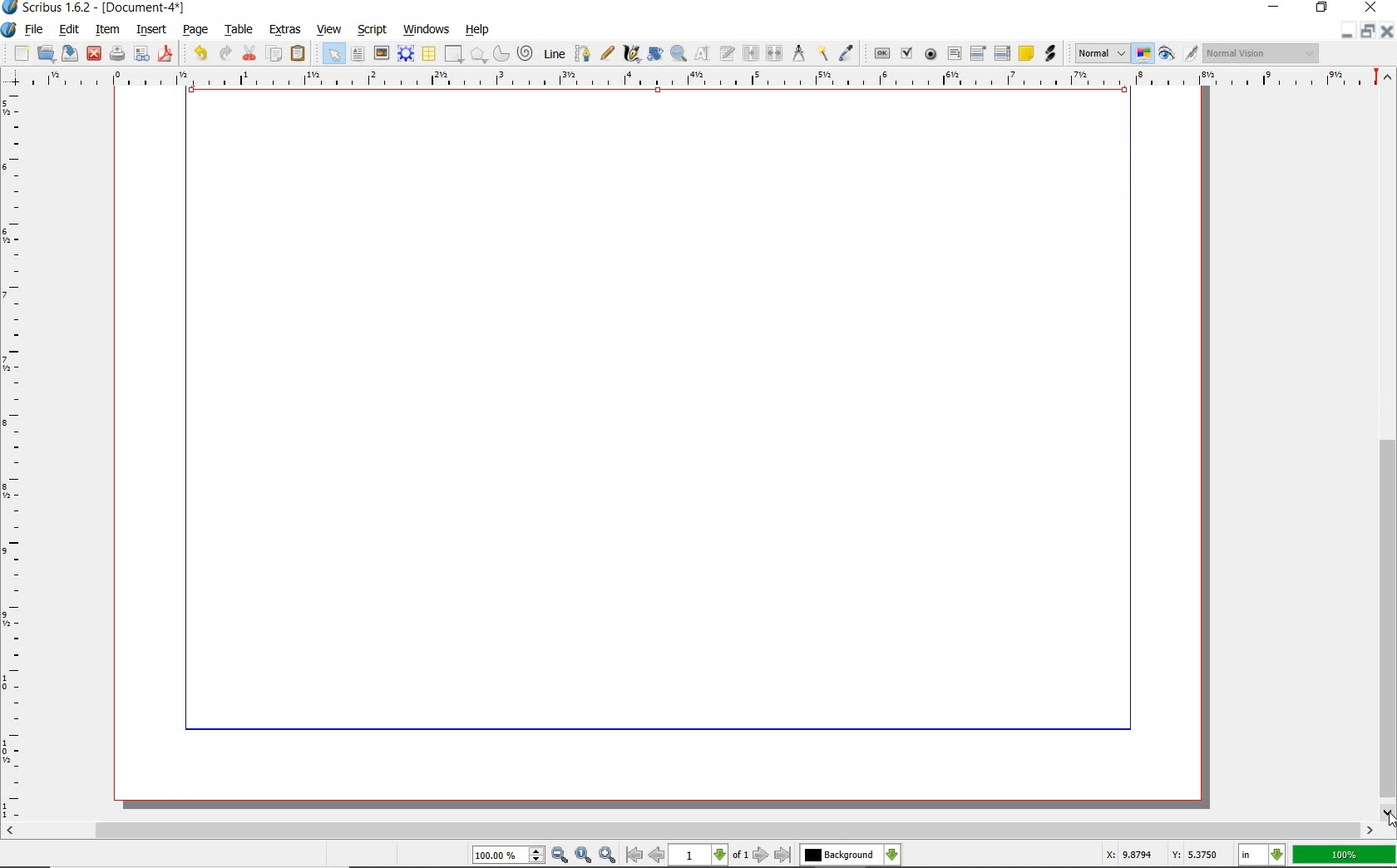 This screenshot has height=868, width=1397. Describe the element at coordinates (847, 51) in the screenshot. I see `eye dropper` at that location.